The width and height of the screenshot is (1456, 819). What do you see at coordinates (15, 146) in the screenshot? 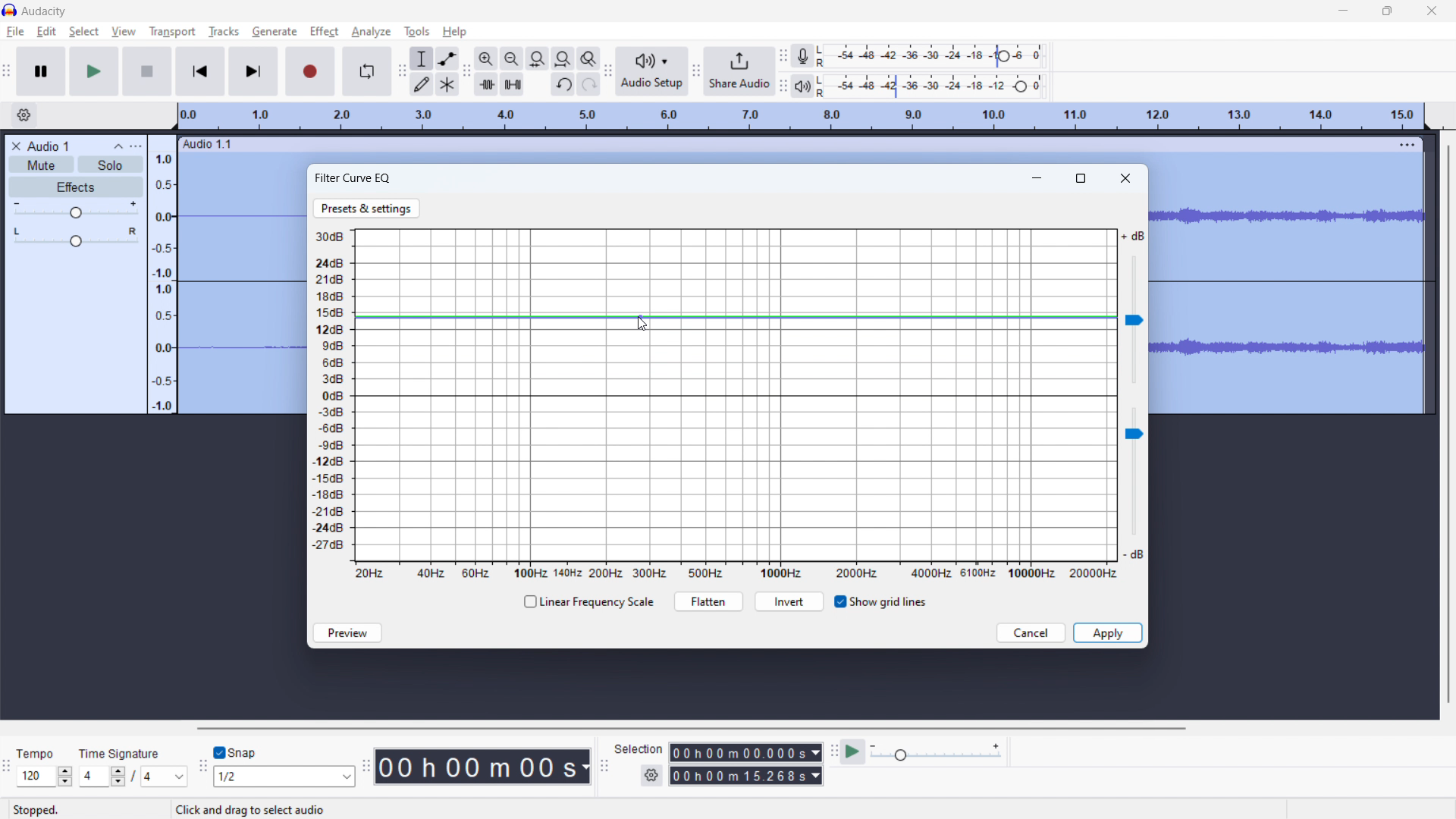
I see `delete audio` at bounding box center [15, 146].